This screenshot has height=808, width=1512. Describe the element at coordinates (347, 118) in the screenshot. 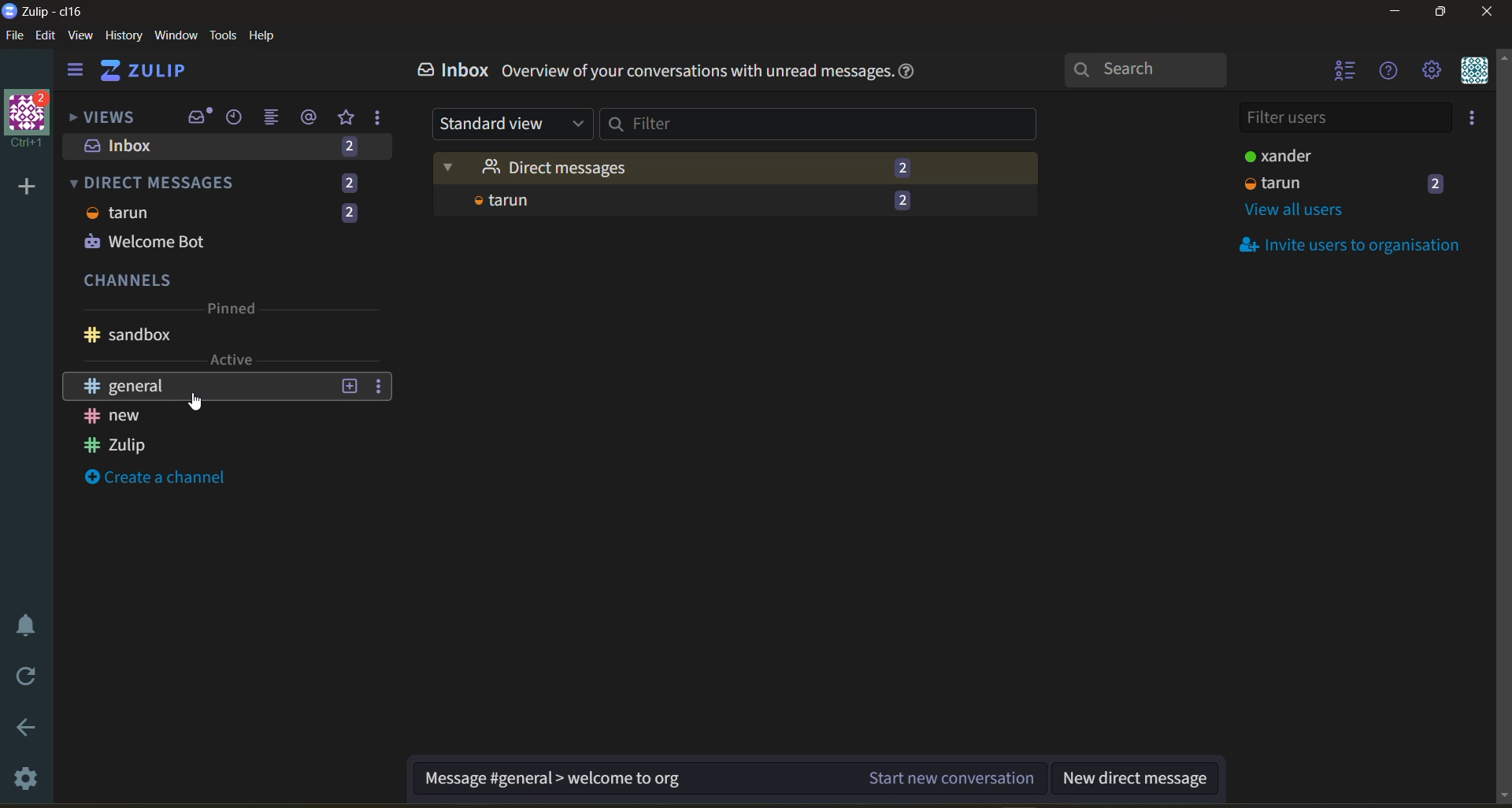

I see `favorites` at that location.